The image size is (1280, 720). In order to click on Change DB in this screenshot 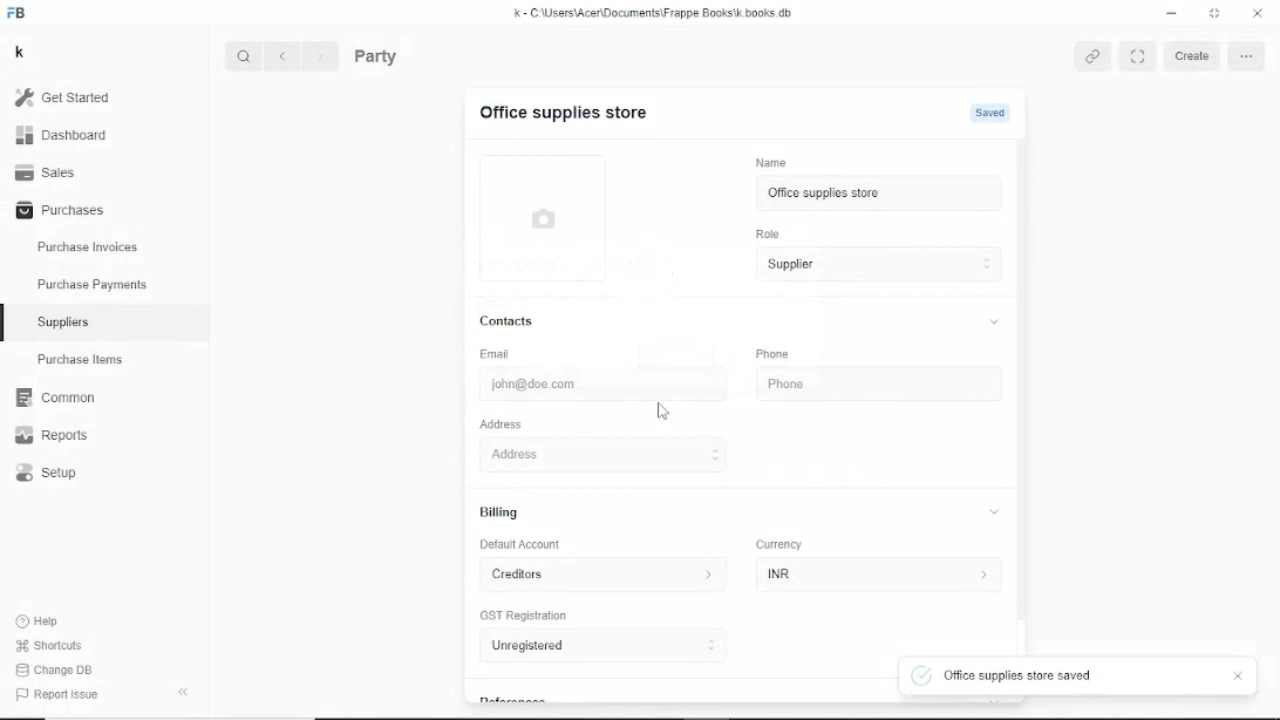, I will do `click(55, 671)`.